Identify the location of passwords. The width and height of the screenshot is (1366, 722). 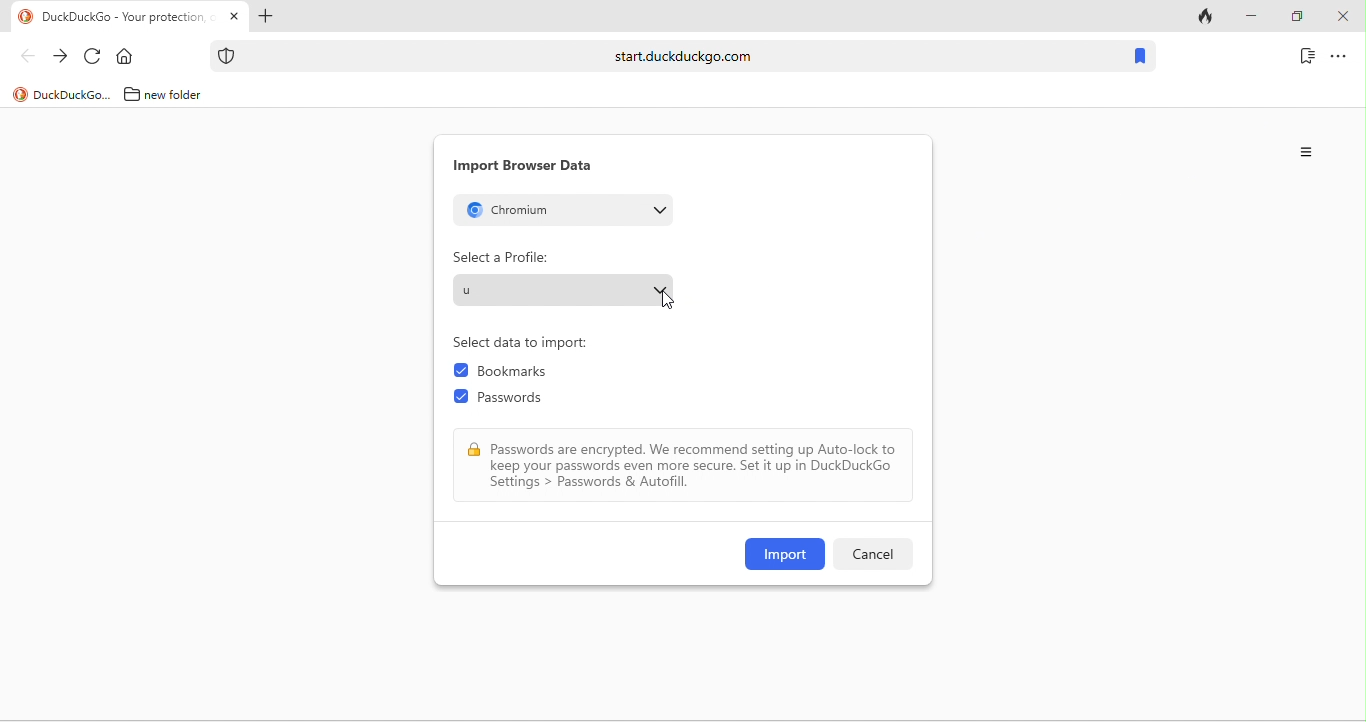
(520, 401).